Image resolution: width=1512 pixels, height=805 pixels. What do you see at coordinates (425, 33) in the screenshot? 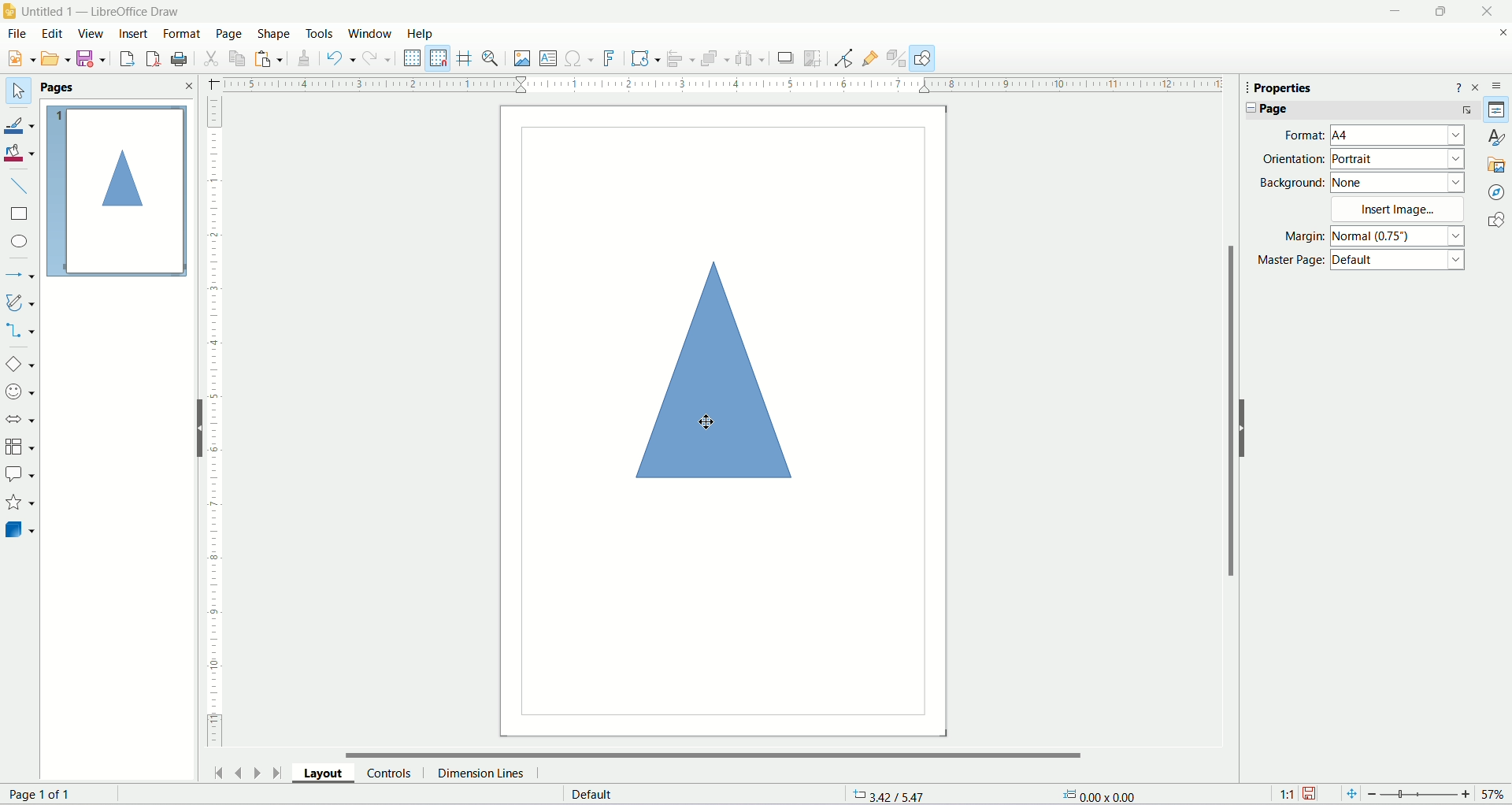
I see `Help` at bounding box center [425, 33].